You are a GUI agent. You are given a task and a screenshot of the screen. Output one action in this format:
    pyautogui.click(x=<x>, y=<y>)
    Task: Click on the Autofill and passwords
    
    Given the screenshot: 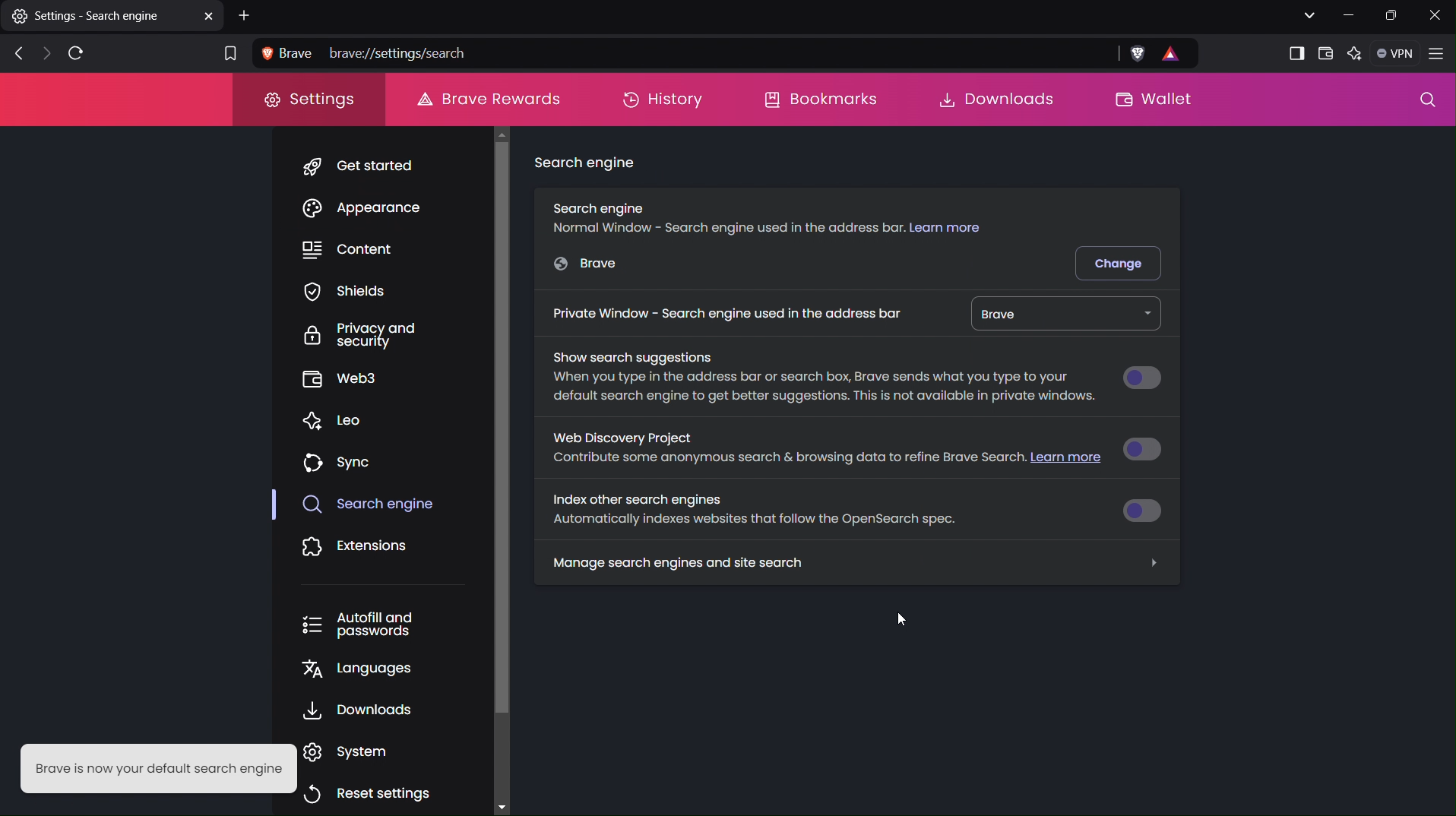 What is the action you would take?
    pyautogui.click(x=357, y=625)
    